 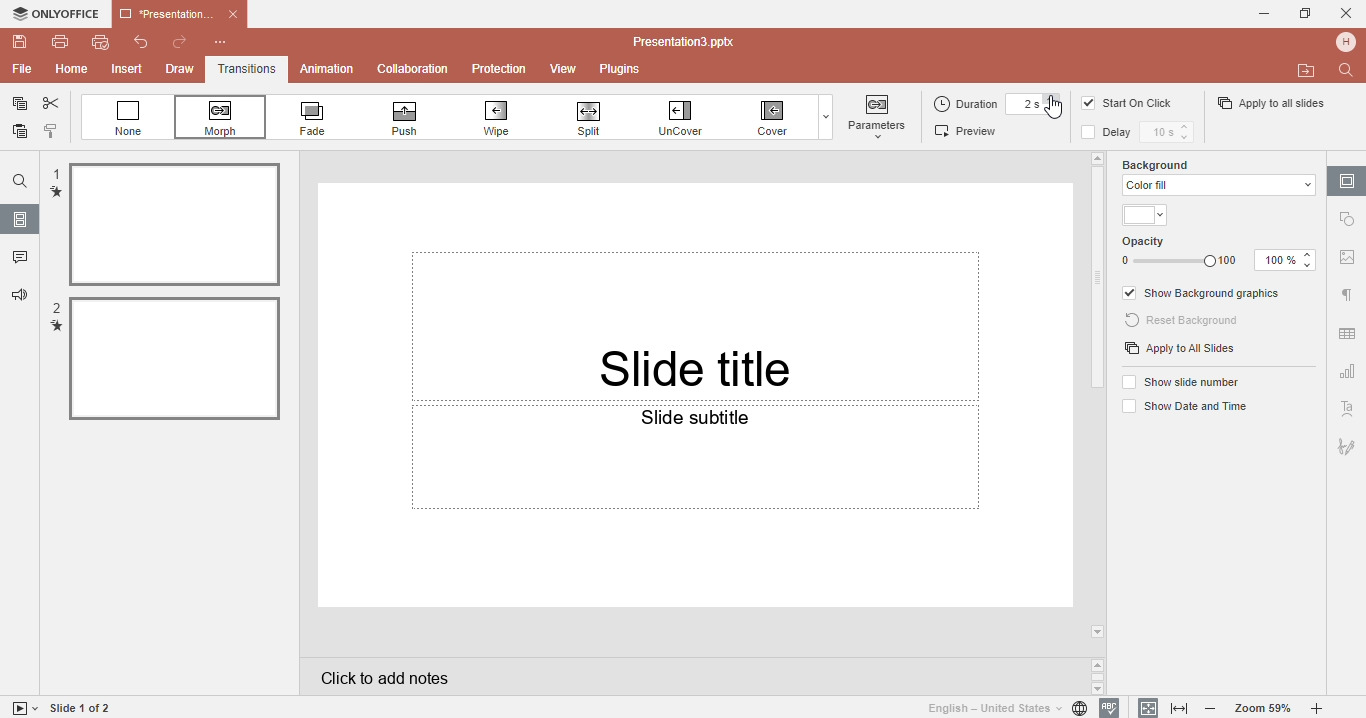 What do you see at coordinates (1138, 103) in the screenshot?
I see `Start on click` at bounding box center [1138, 103].